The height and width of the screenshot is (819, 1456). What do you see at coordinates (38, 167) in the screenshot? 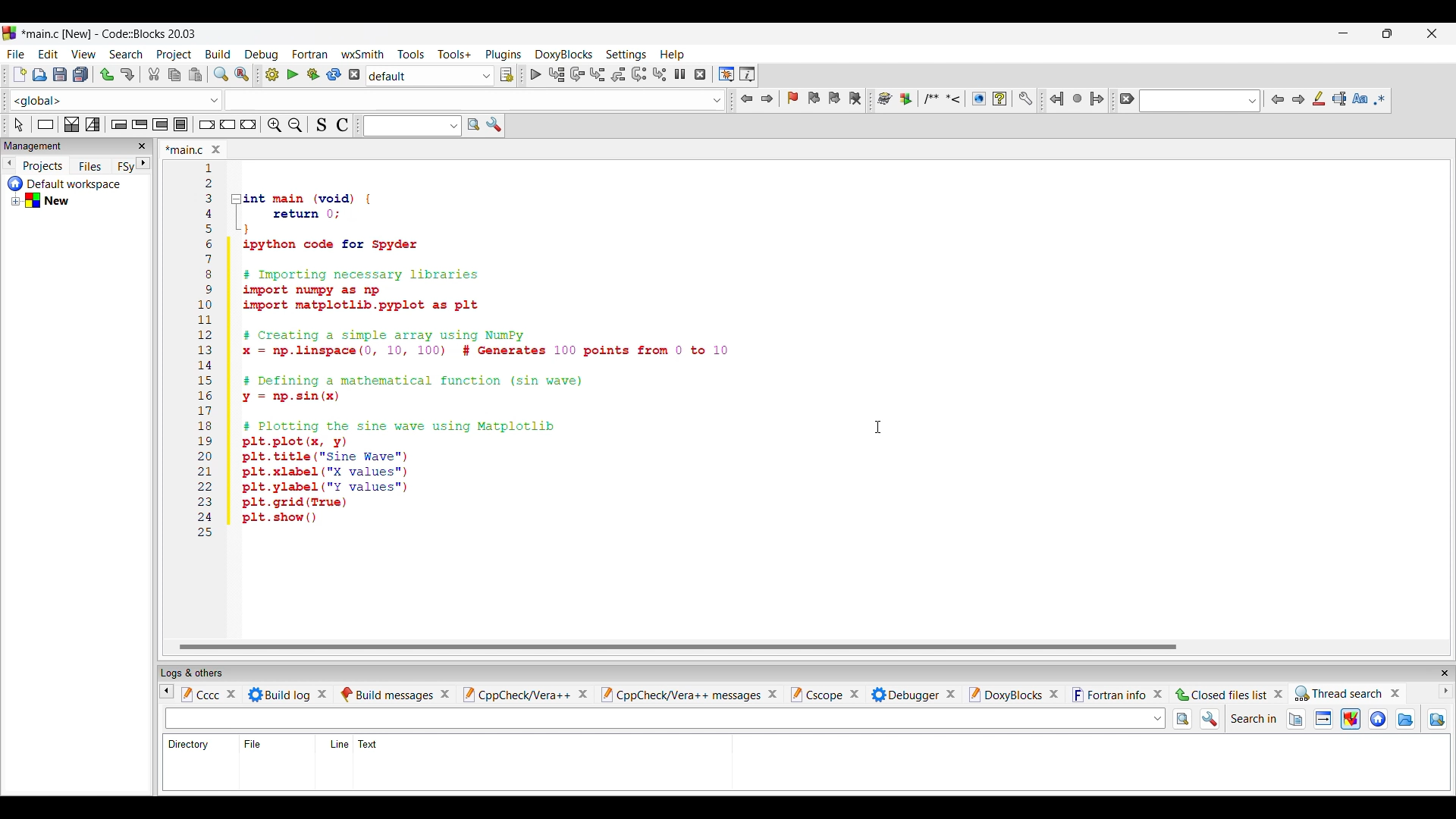
I see `Project` at bounding box center [38, 167].